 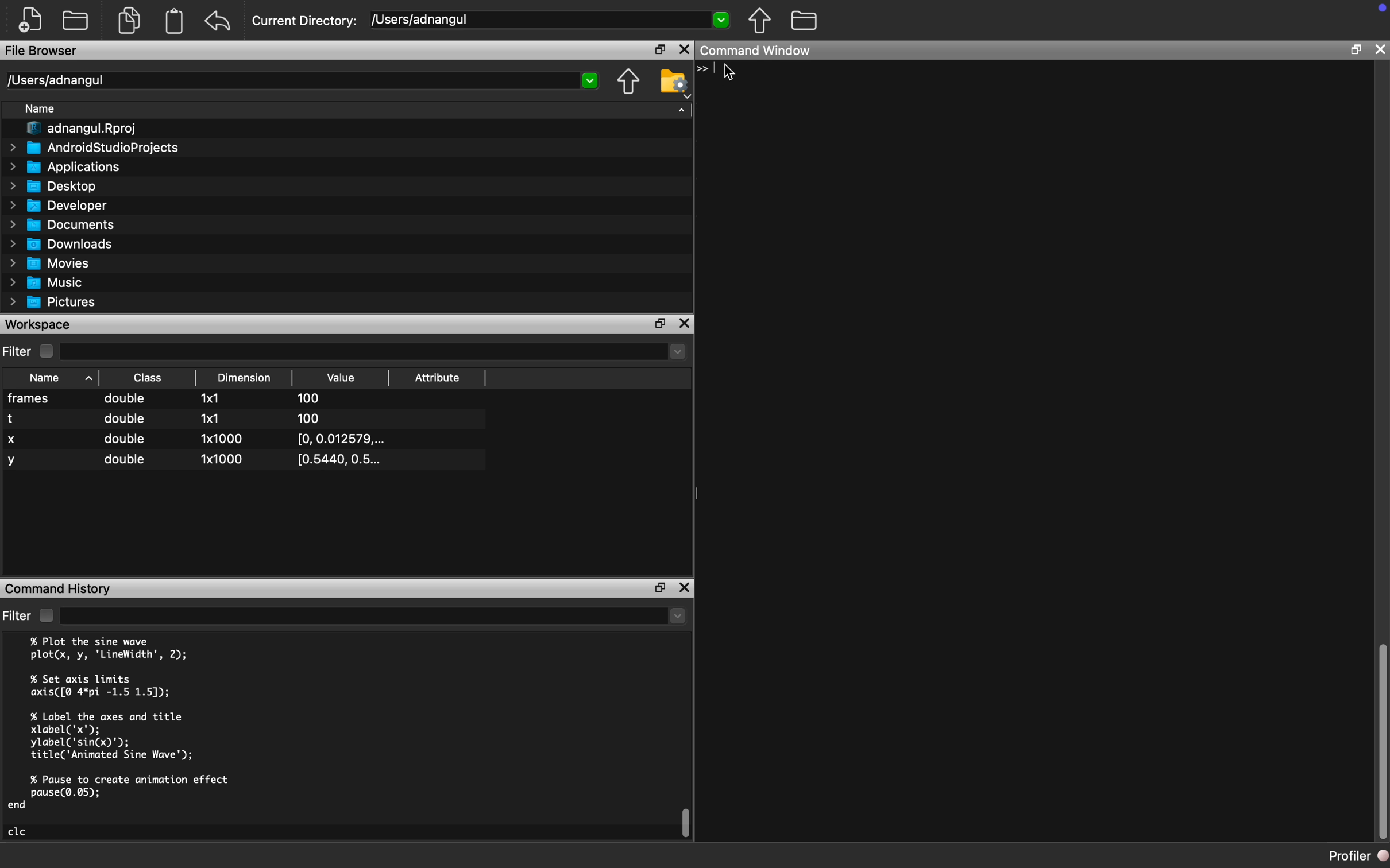 What do you see at coordinates (47, 351) in the screenshot?
I see `Checkbox` at bounding box center [47, 351].